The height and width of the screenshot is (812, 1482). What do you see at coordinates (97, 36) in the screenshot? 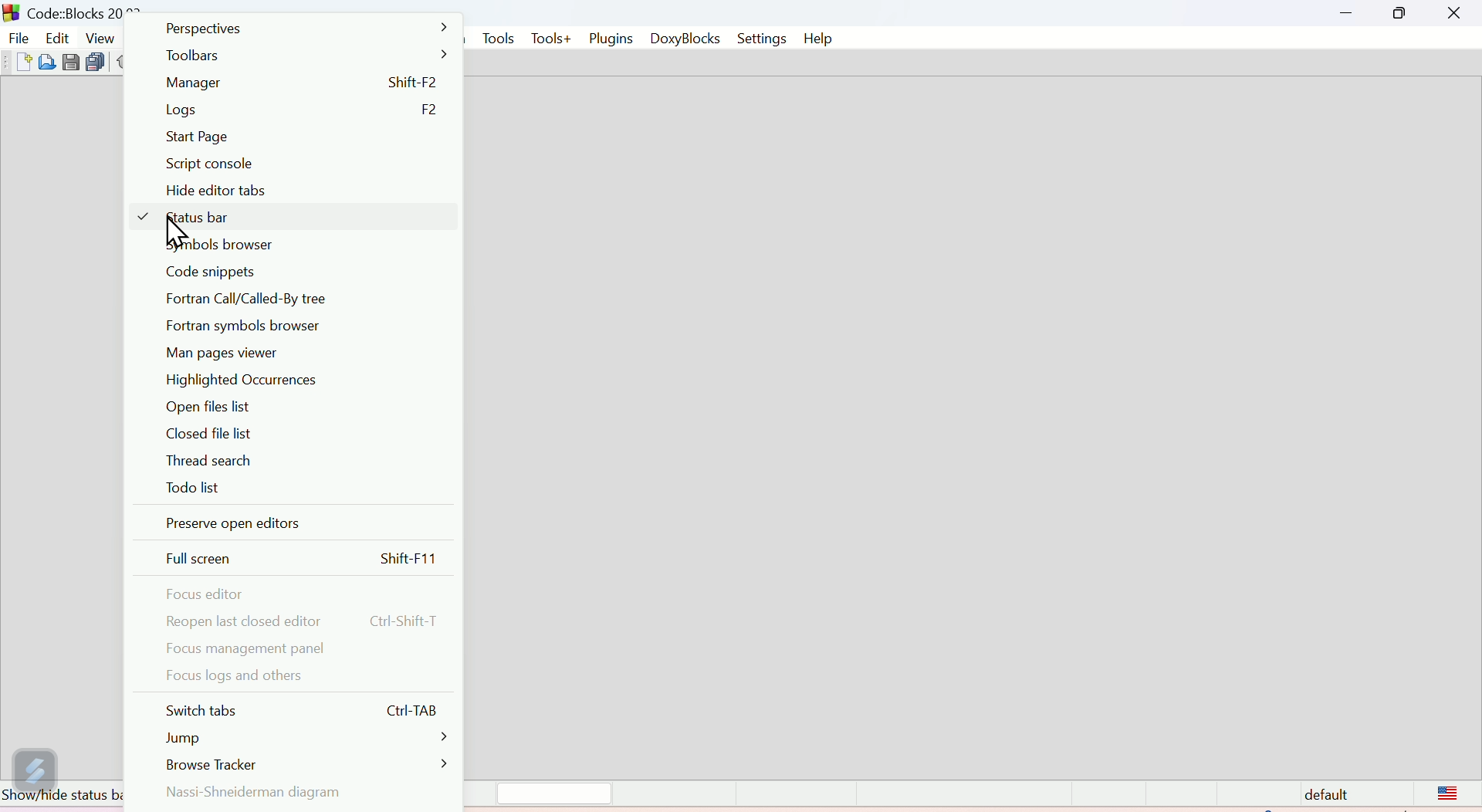
I see `` at bounding box center [97, 36].